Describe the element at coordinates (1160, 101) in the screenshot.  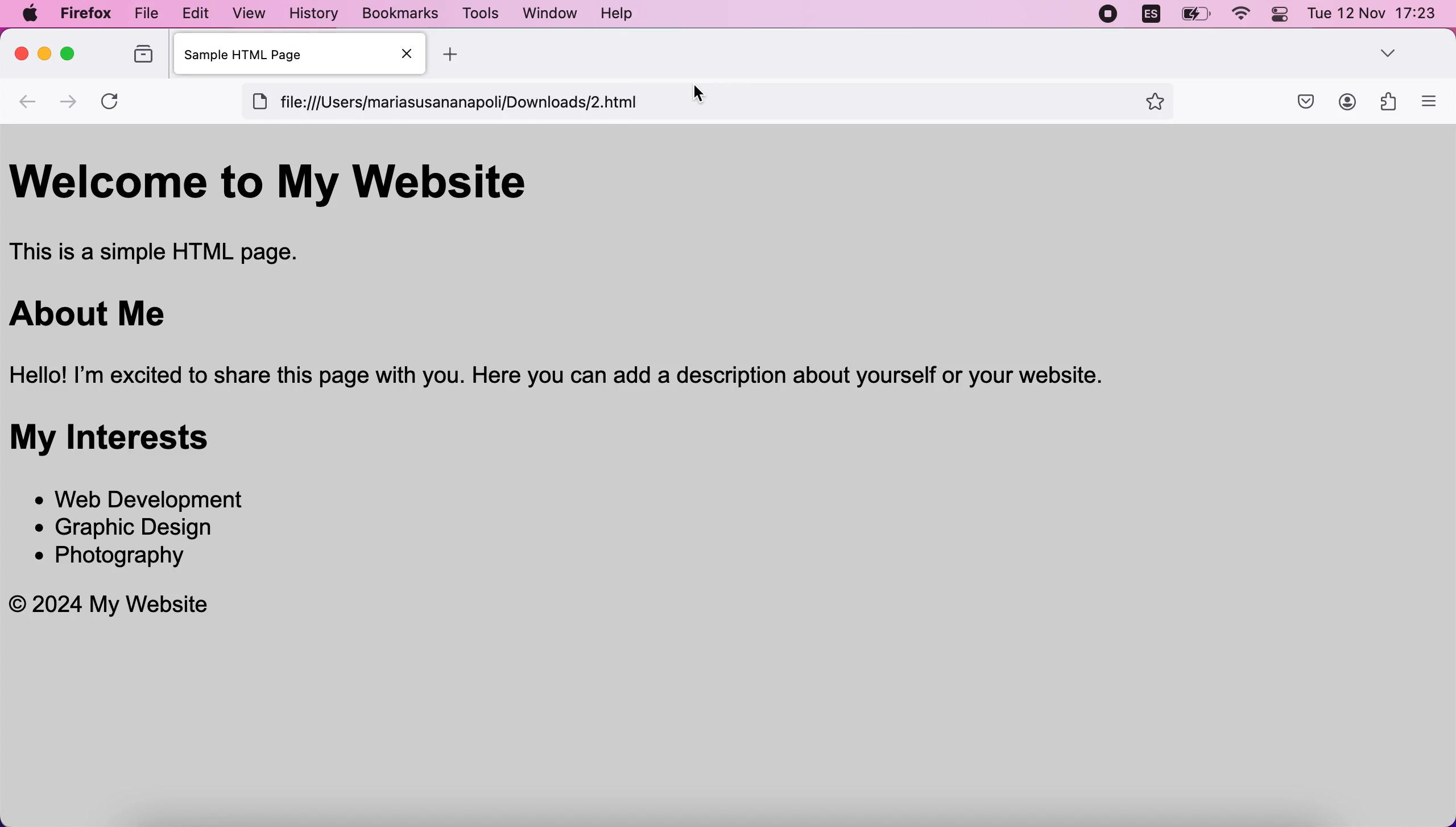
I see `favorites` at that location.